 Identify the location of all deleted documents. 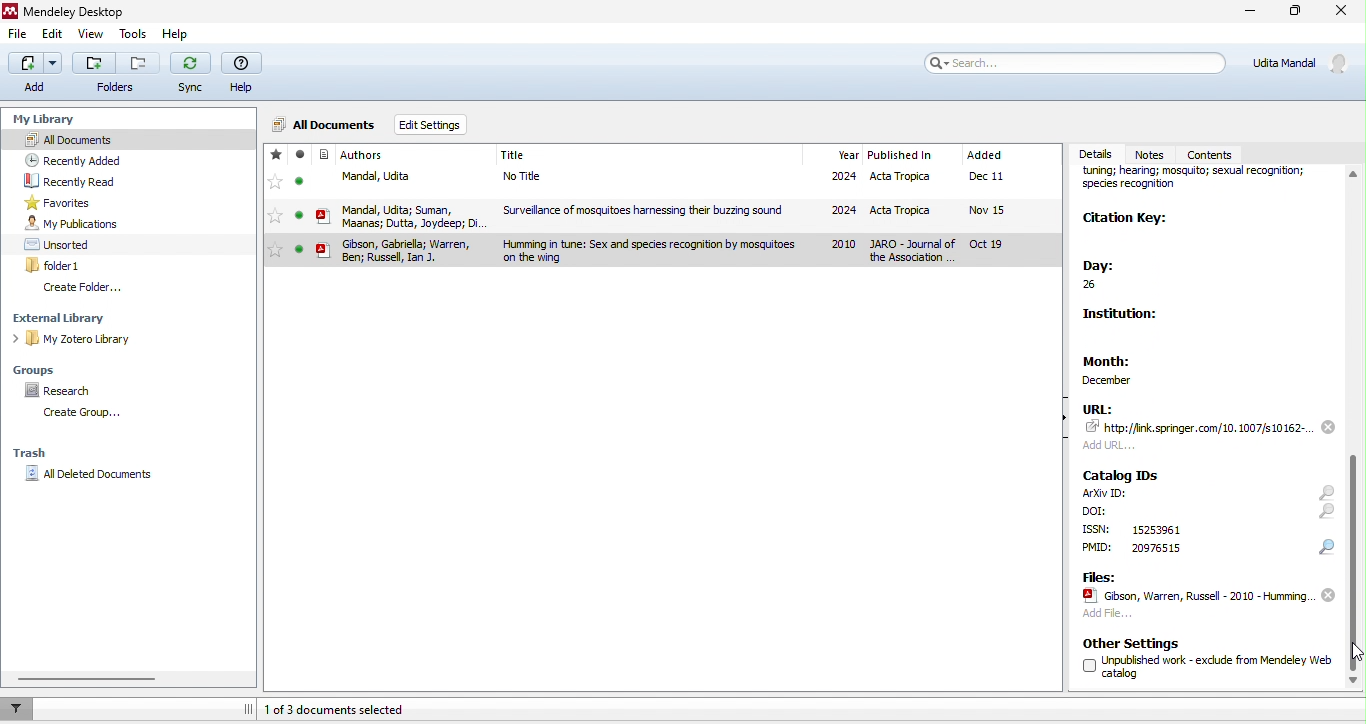
(94, 475).